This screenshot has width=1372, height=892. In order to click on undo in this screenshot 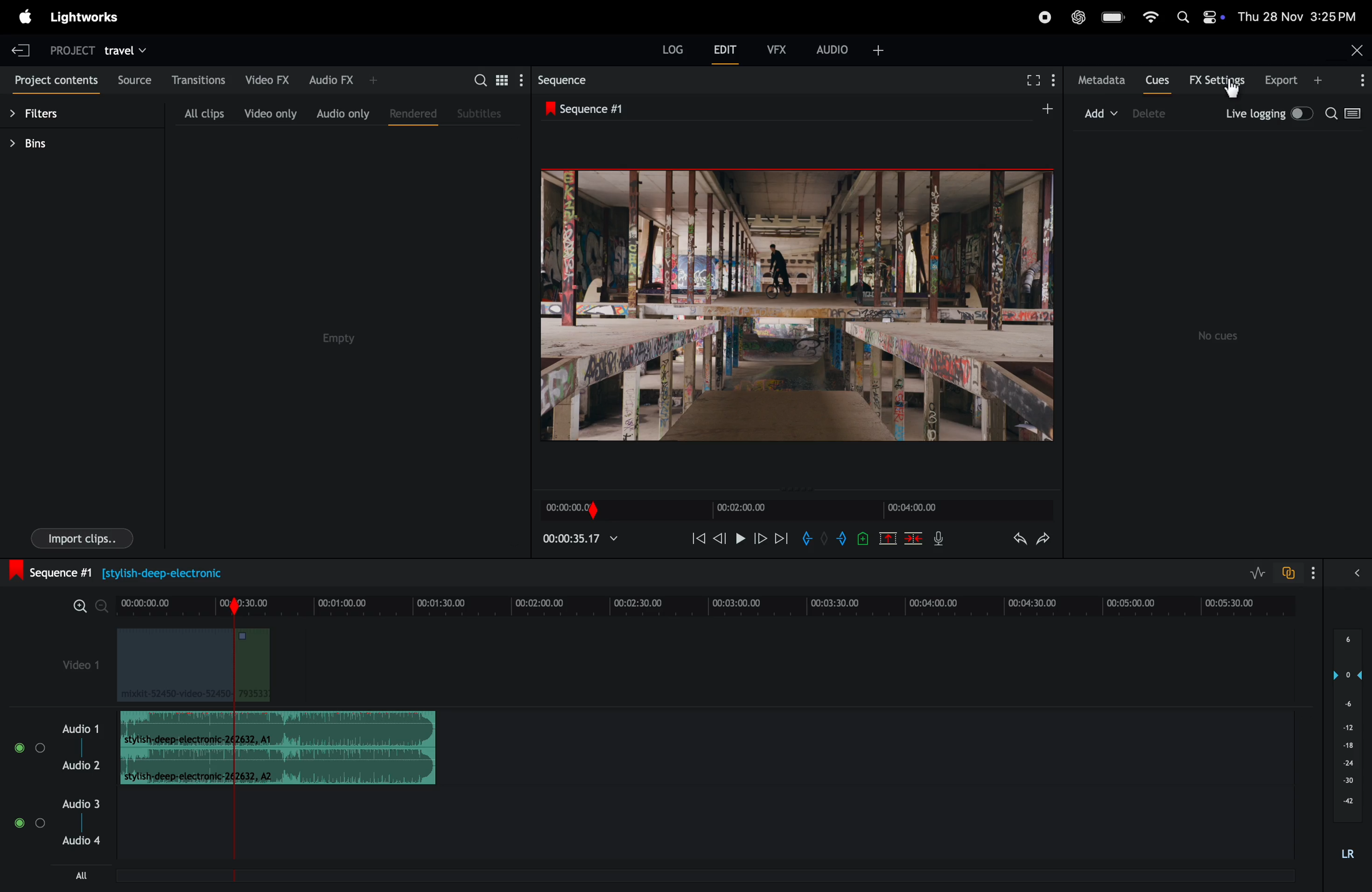, I will do `click(1017, 541)`.